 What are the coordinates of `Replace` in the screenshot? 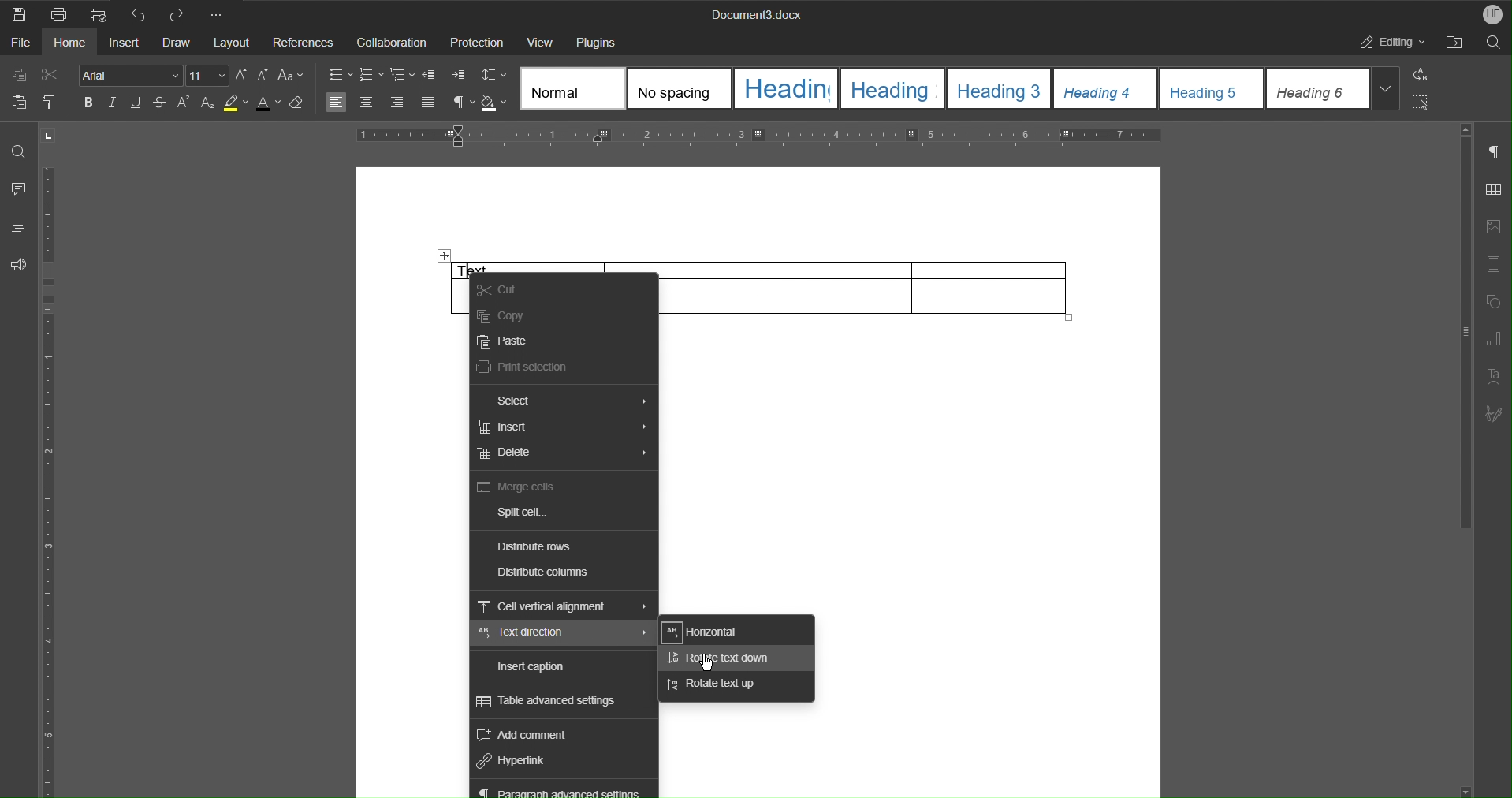 It's located at (1424, 76).